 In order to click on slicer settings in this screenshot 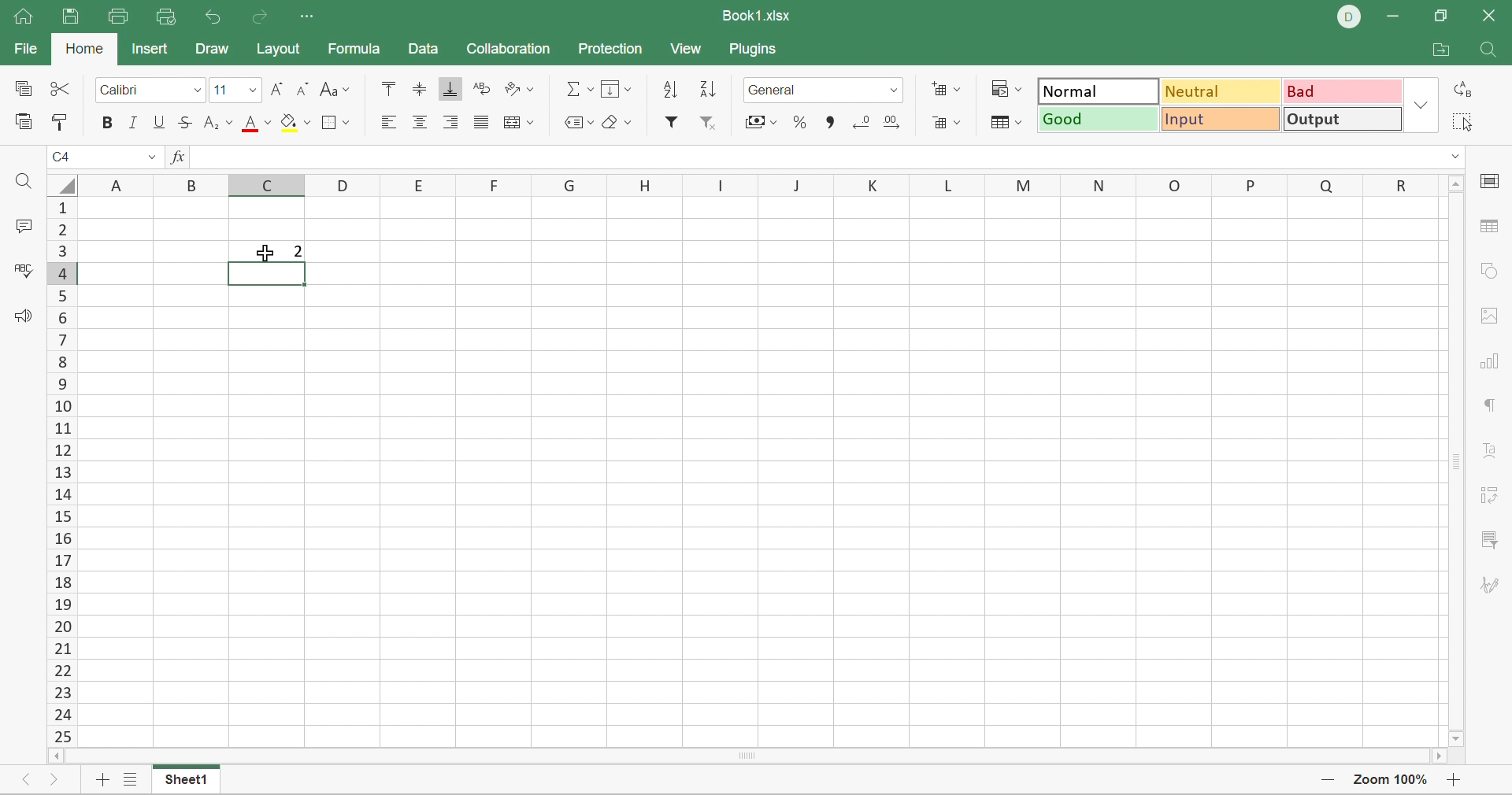, I will do `click(1492, 542)`.